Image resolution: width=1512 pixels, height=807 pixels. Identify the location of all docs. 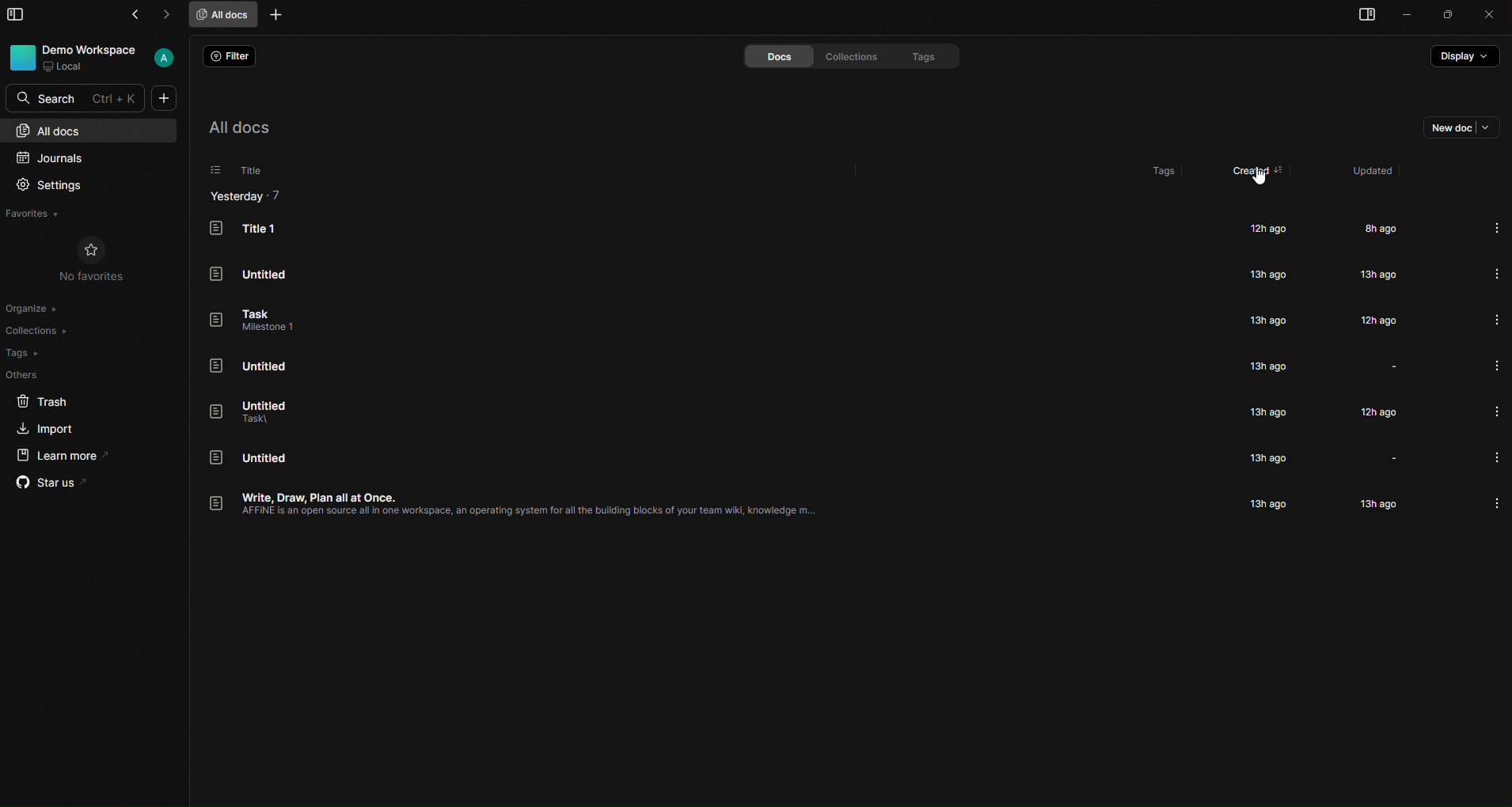
(246, 126).